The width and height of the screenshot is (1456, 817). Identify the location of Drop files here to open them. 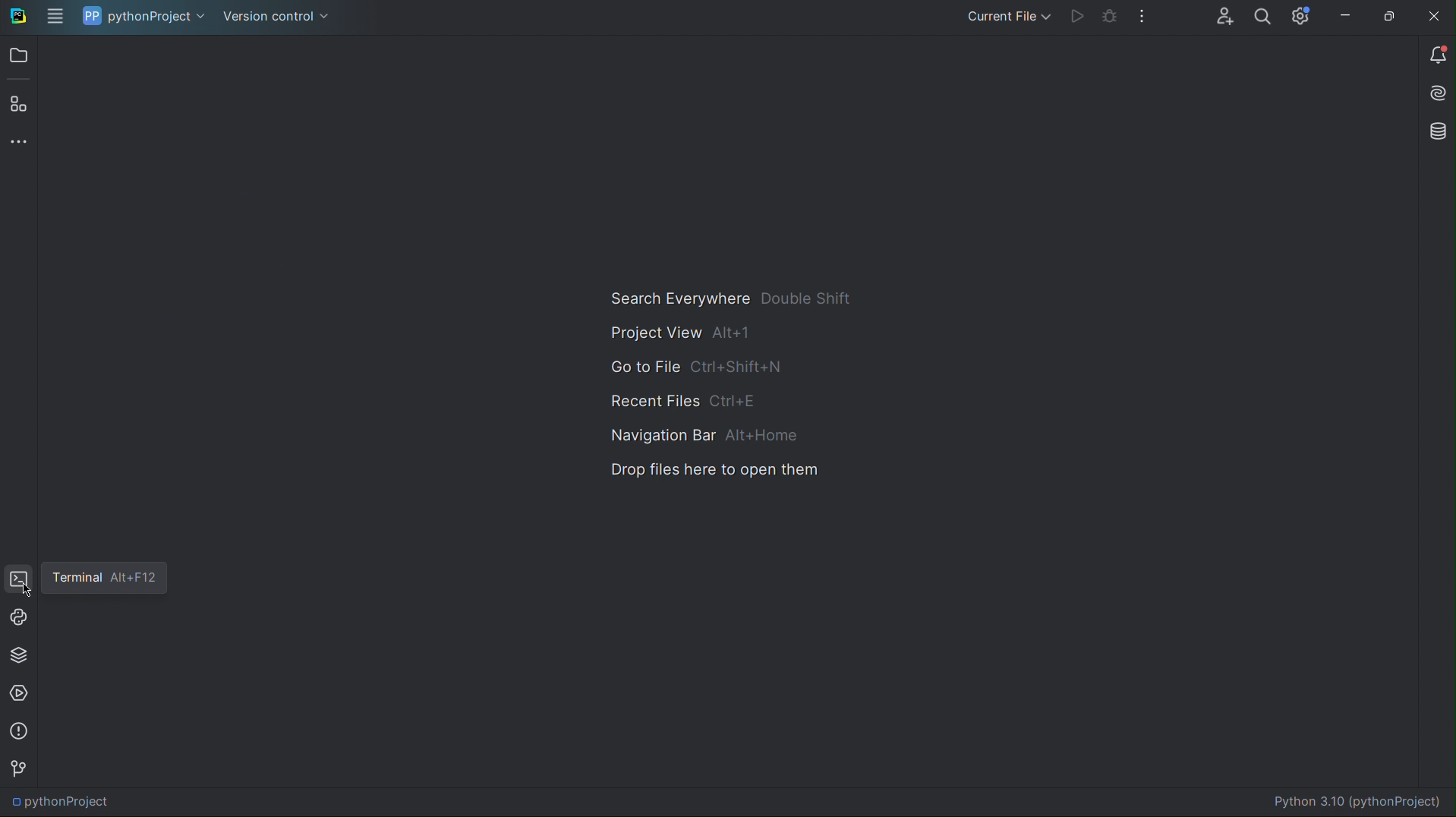
(711, 471).